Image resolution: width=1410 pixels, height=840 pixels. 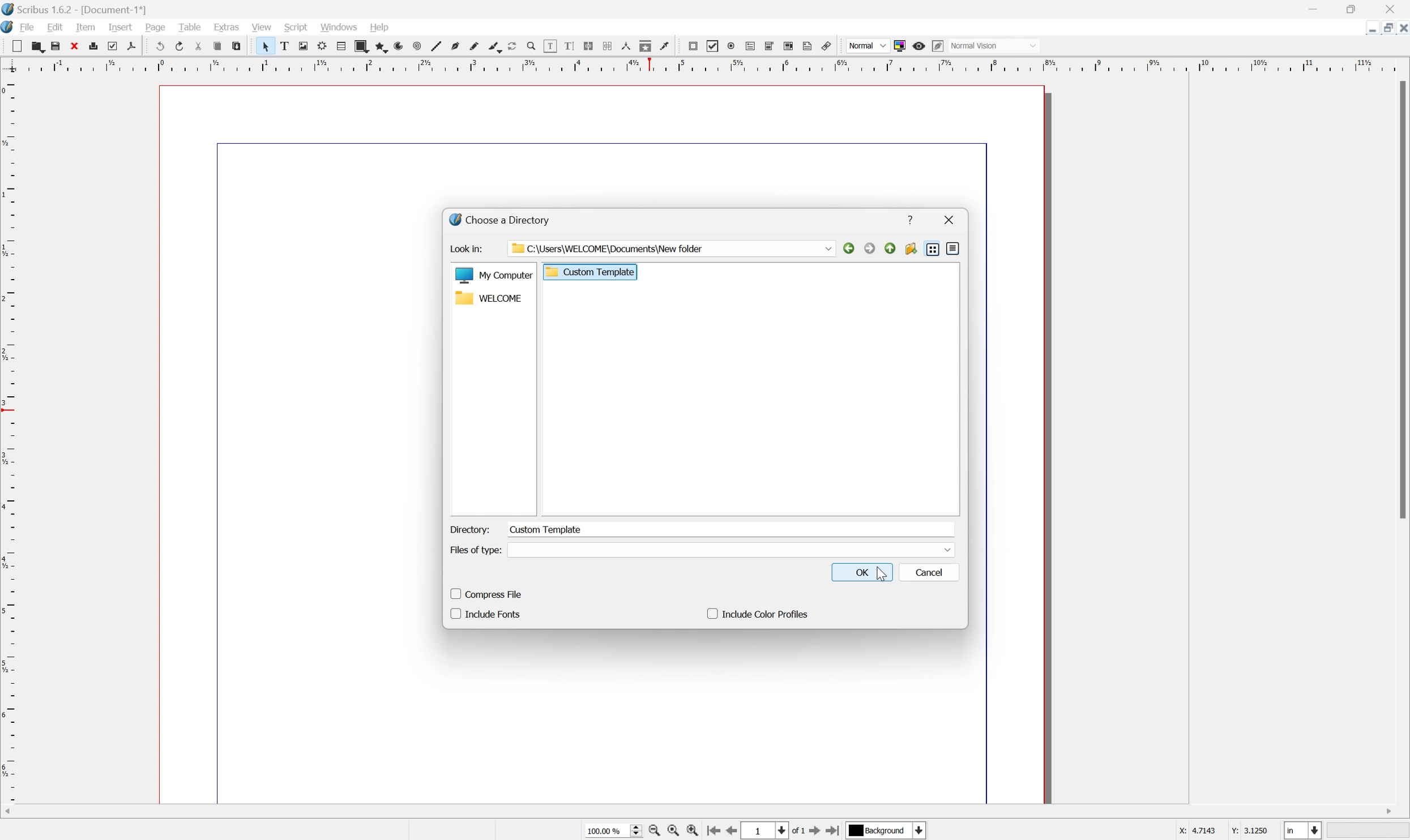 I want to click on edit, so click(x=57, y=27).